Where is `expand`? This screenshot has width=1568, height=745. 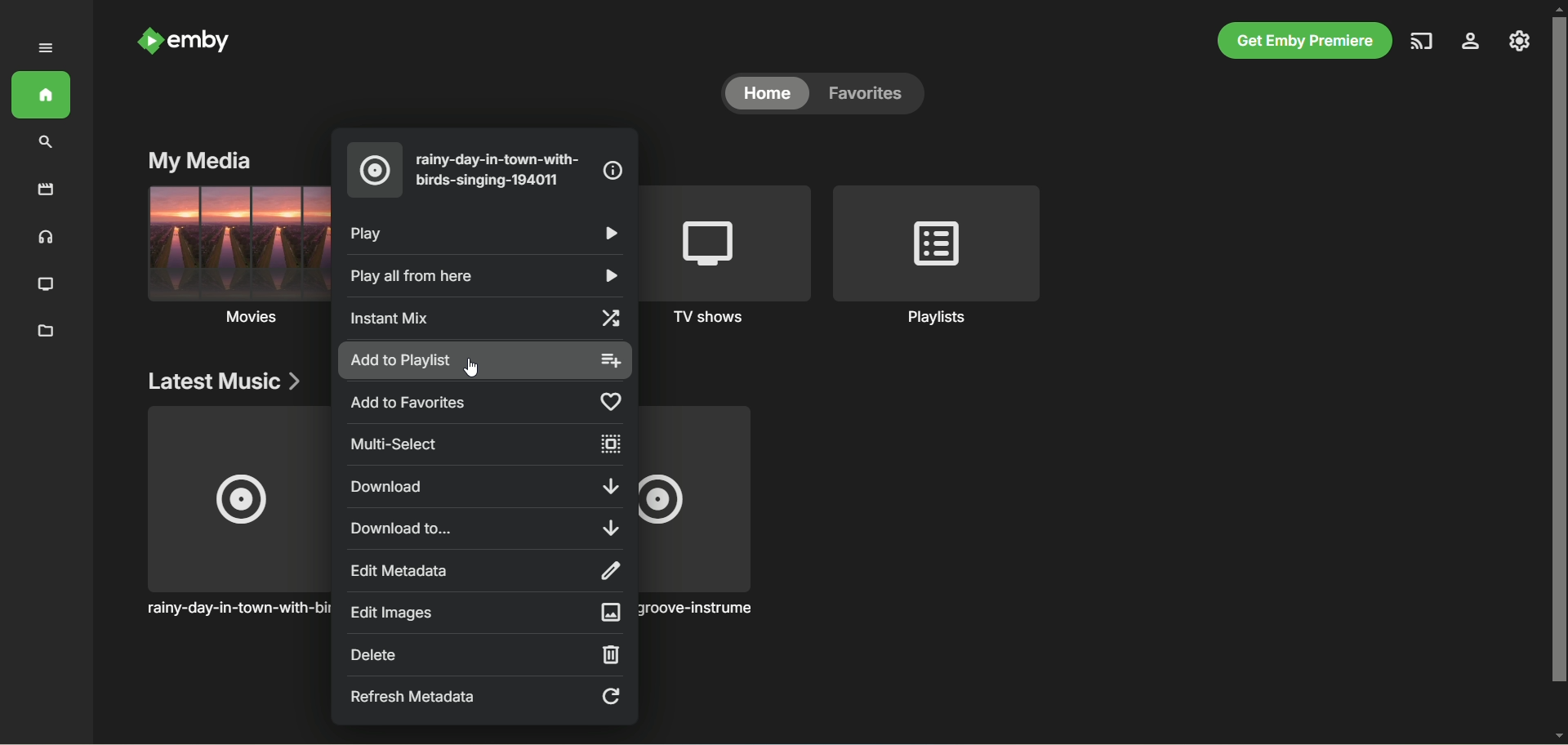
expand is located at coordinates (47, 47).